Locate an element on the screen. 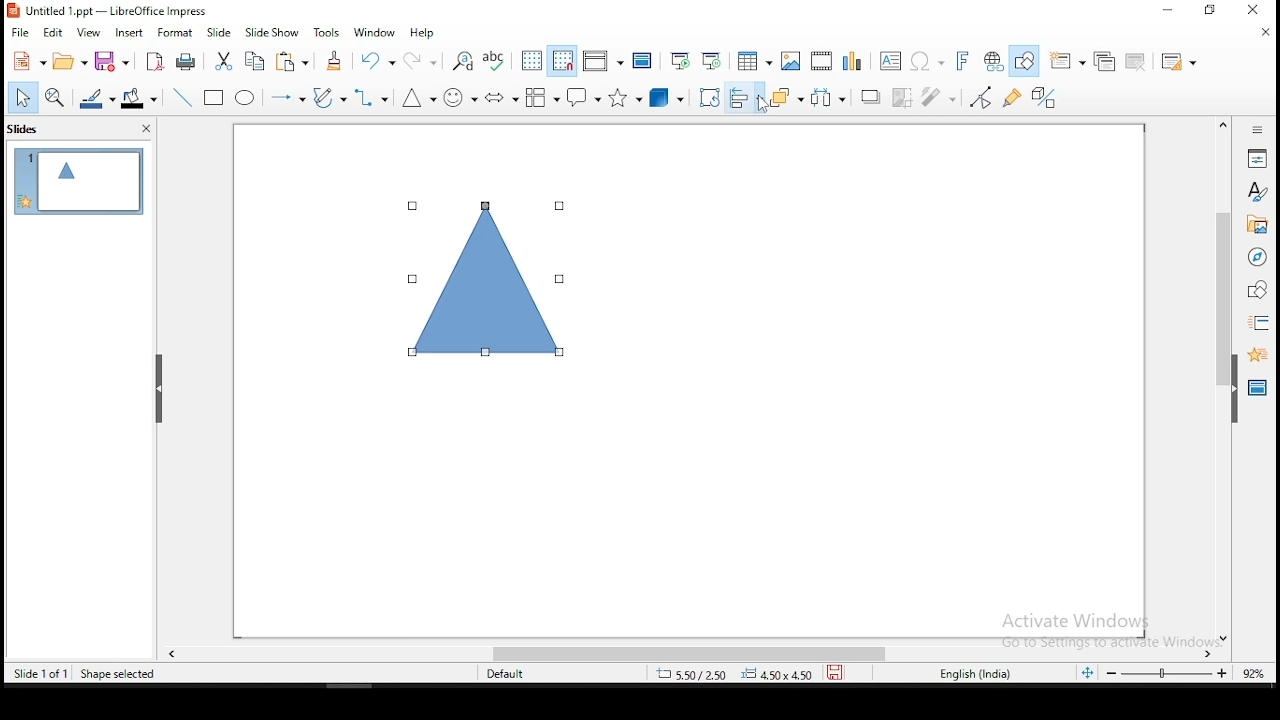 The width and height of the screenshot is (1280, 720). lines and arrows is located at coordinates (290, 99).